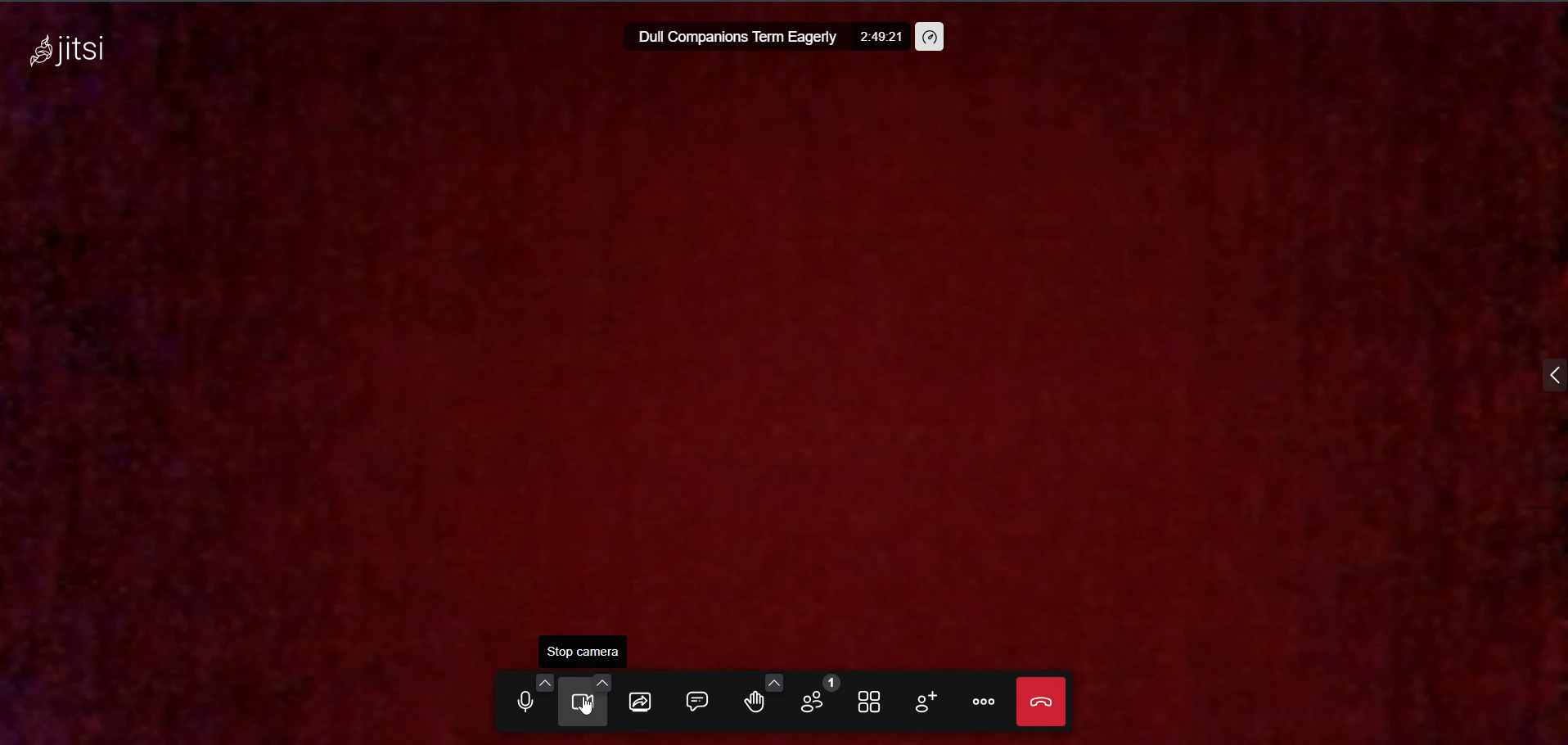 This screenshot has height=745, width=1568. What do you see at coordinates (773, 680) in the screenshot?
I see `more emoji` at bounding box center [773, 680].